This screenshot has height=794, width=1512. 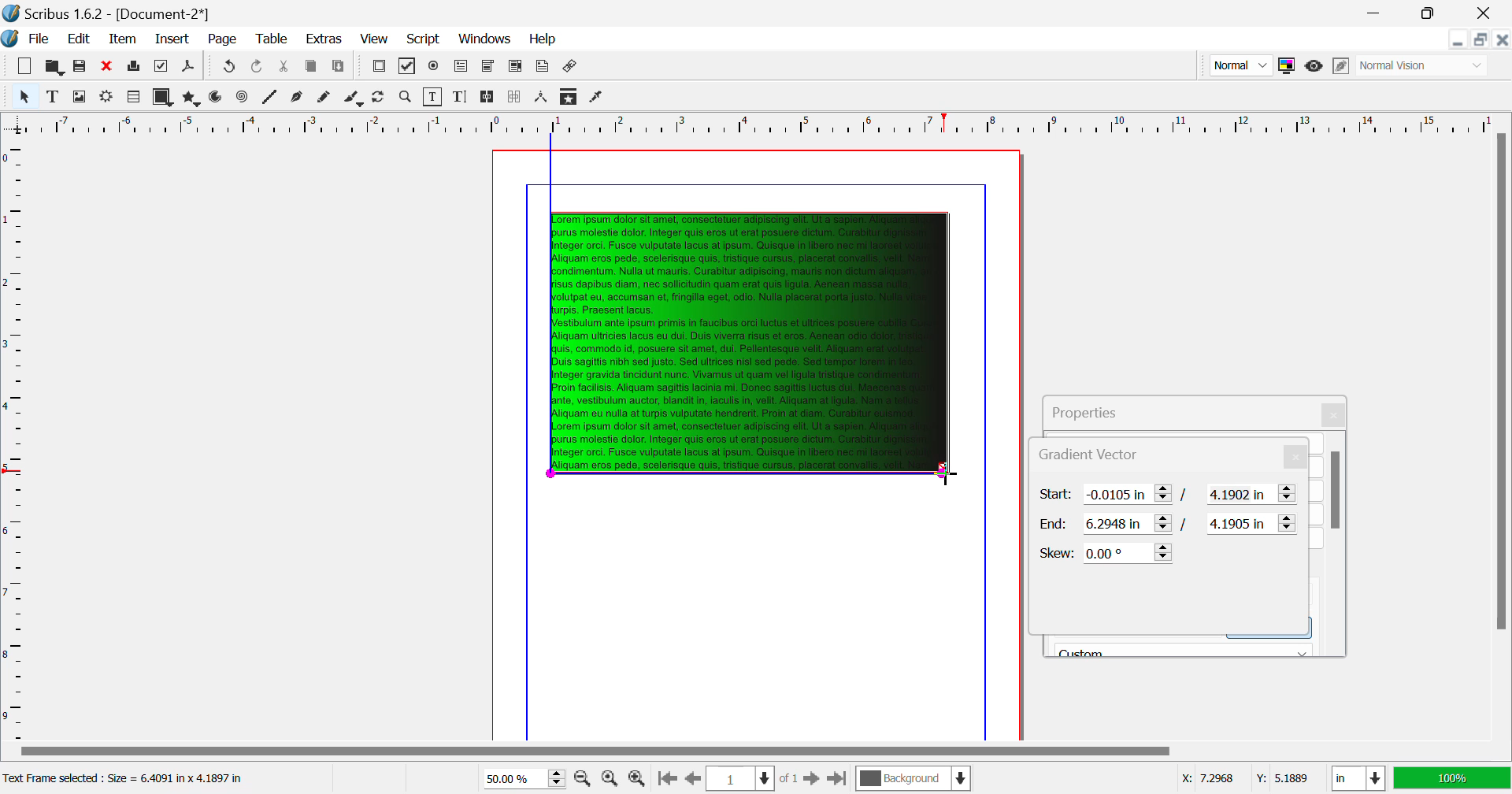 What do you see at coordinates (1244, 779) in the screenshot?
I see `Cursor Coordinates` at bounding box center [1244, 779].